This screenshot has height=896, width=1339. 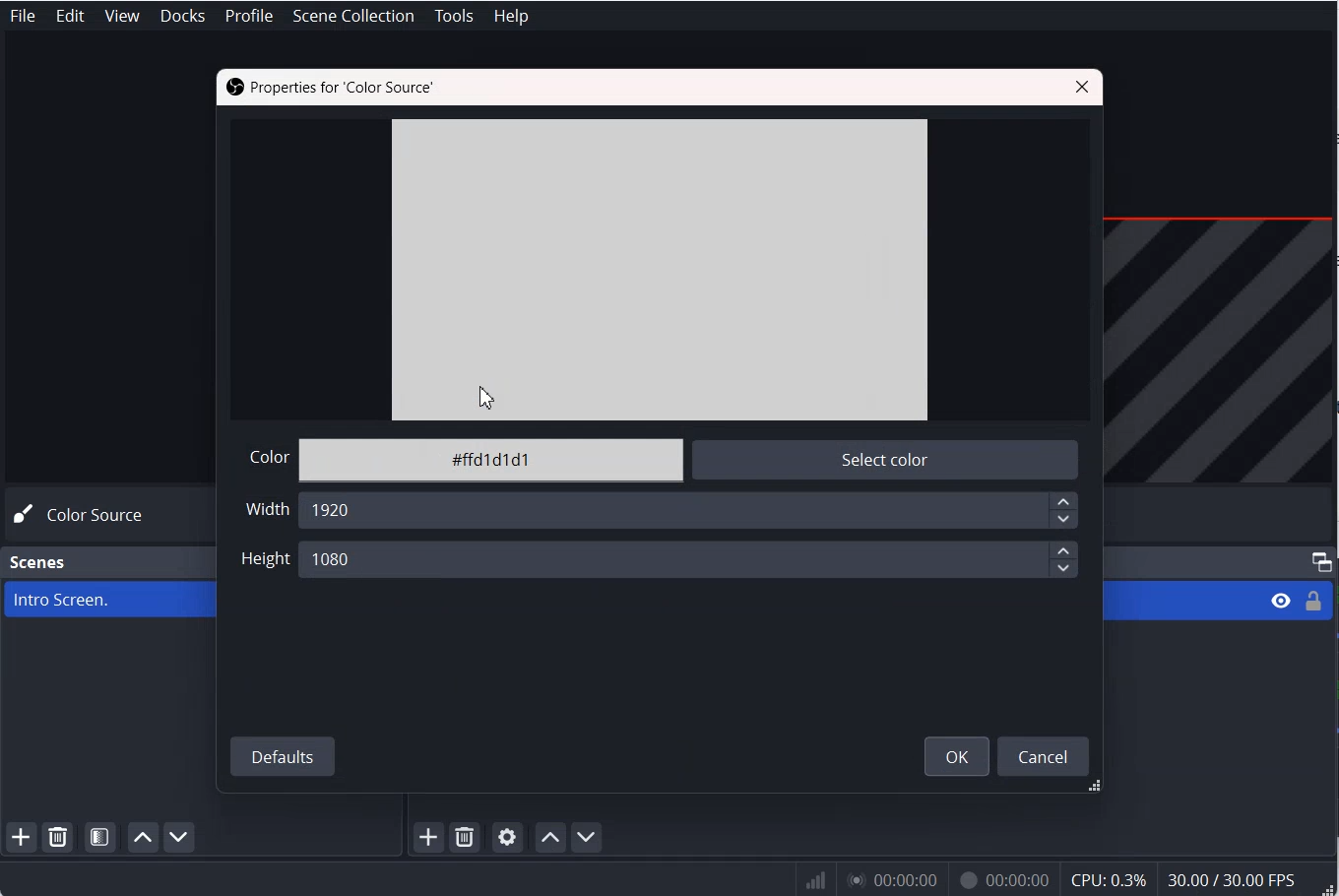 I want to click on Select color, so click(x=878, y=462).